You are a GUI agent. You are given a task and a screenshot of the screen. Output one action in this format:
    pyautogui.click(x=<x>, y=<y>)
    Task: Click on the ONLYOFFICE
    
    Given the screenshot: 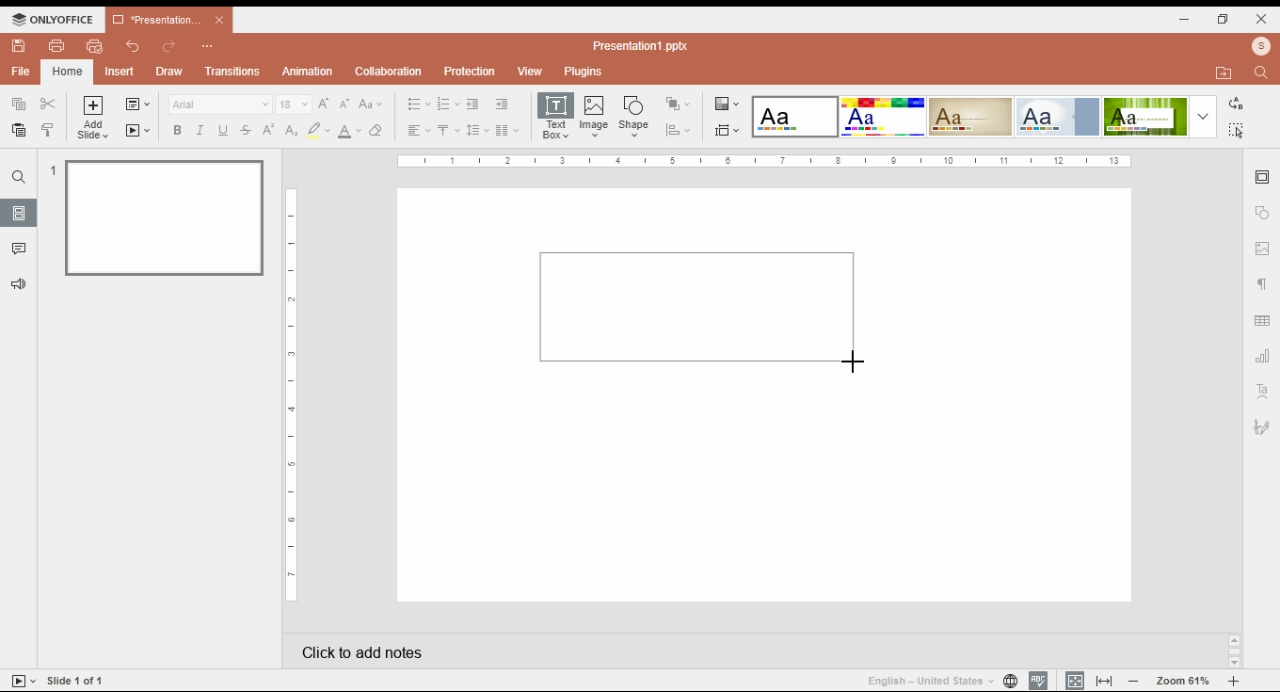 What is the action you would take?
    pyautogui.click(x=54, y=19)
    